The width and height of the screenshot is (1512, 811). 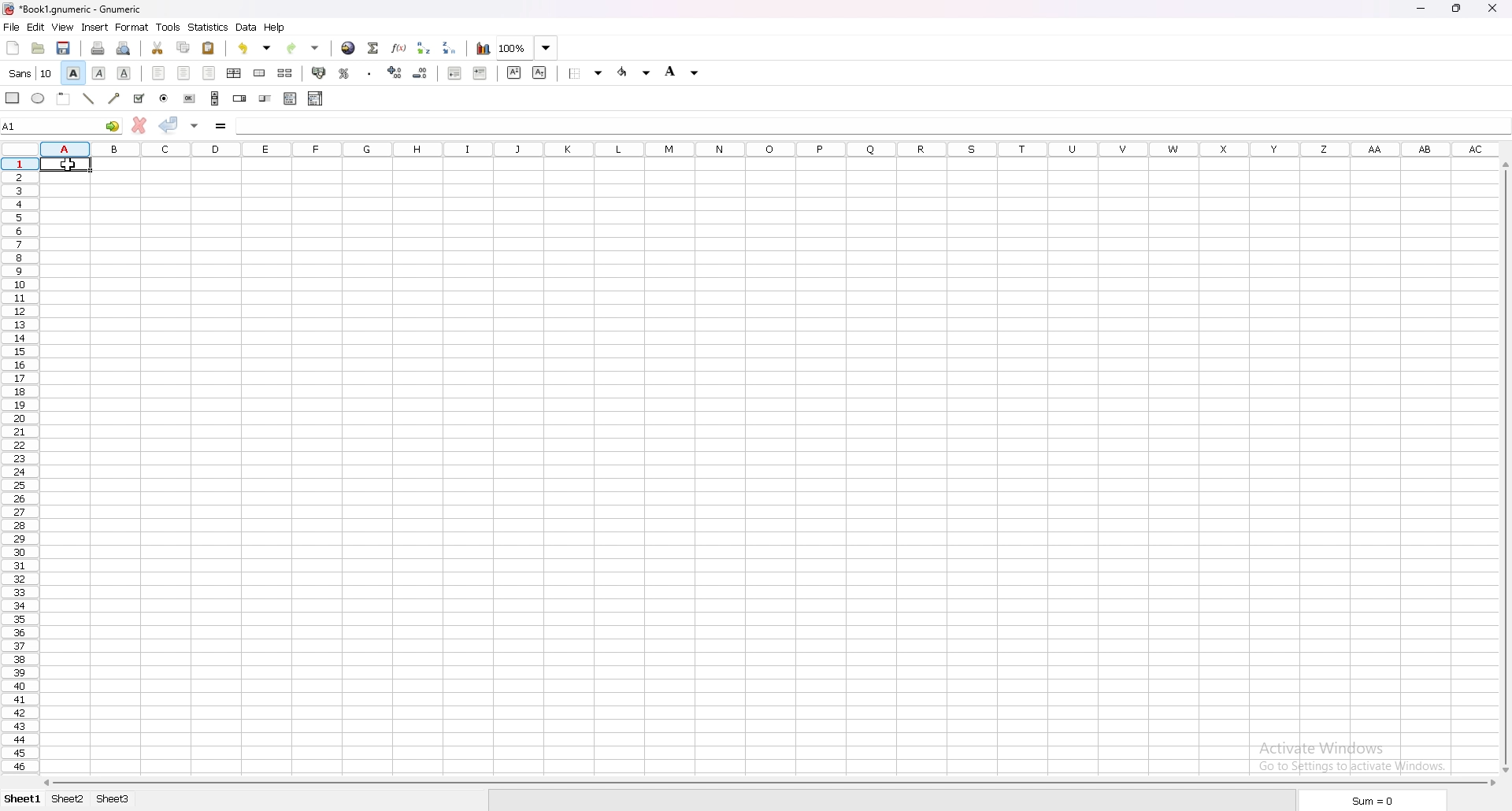 What do you see at coordinates (168, 26) in the screenshot?
I see `tools` at bounding box center [168, 26].